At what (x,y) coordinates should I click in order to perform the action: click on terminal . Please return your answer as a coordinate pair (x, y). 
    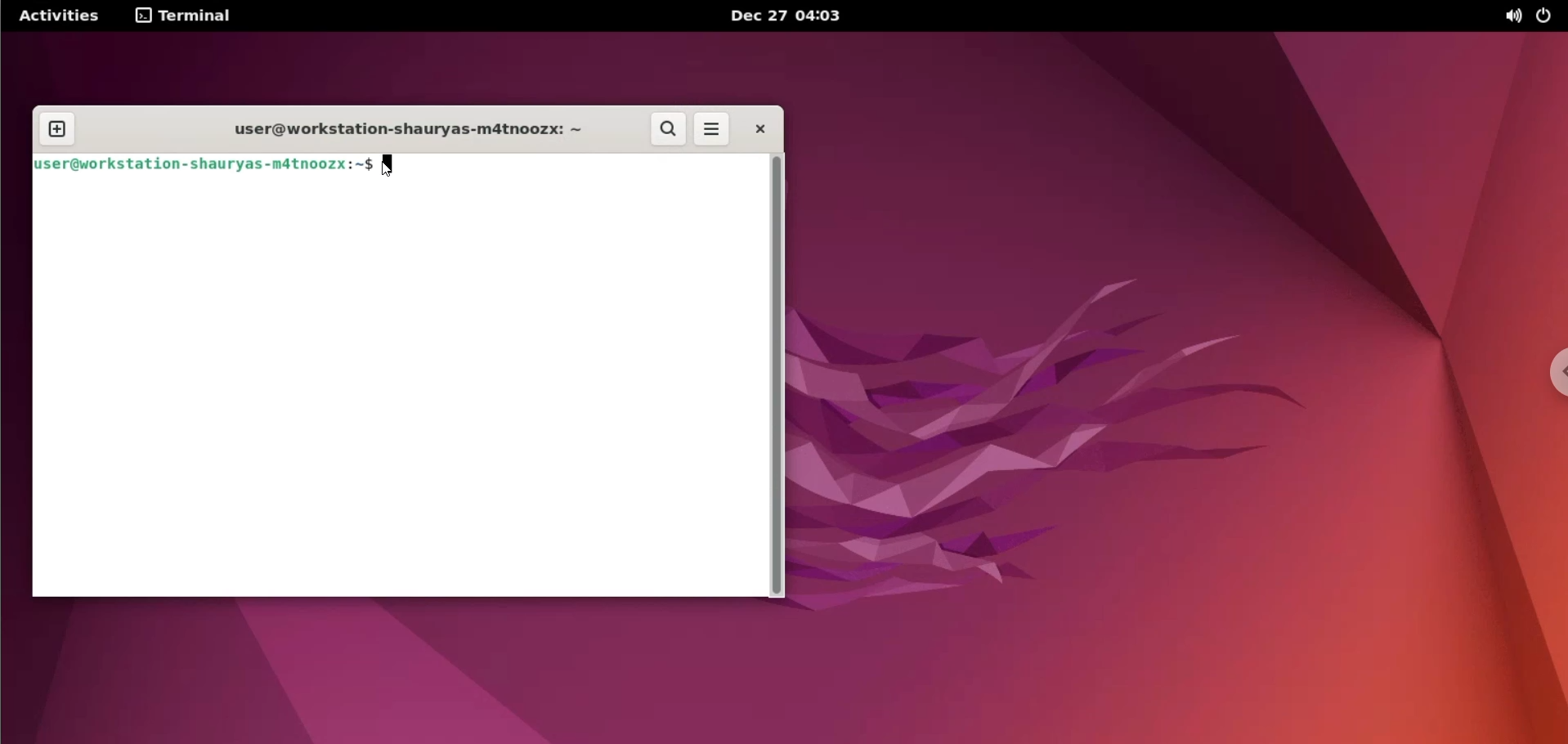
    Looking at the image, I should click on (186, 17).